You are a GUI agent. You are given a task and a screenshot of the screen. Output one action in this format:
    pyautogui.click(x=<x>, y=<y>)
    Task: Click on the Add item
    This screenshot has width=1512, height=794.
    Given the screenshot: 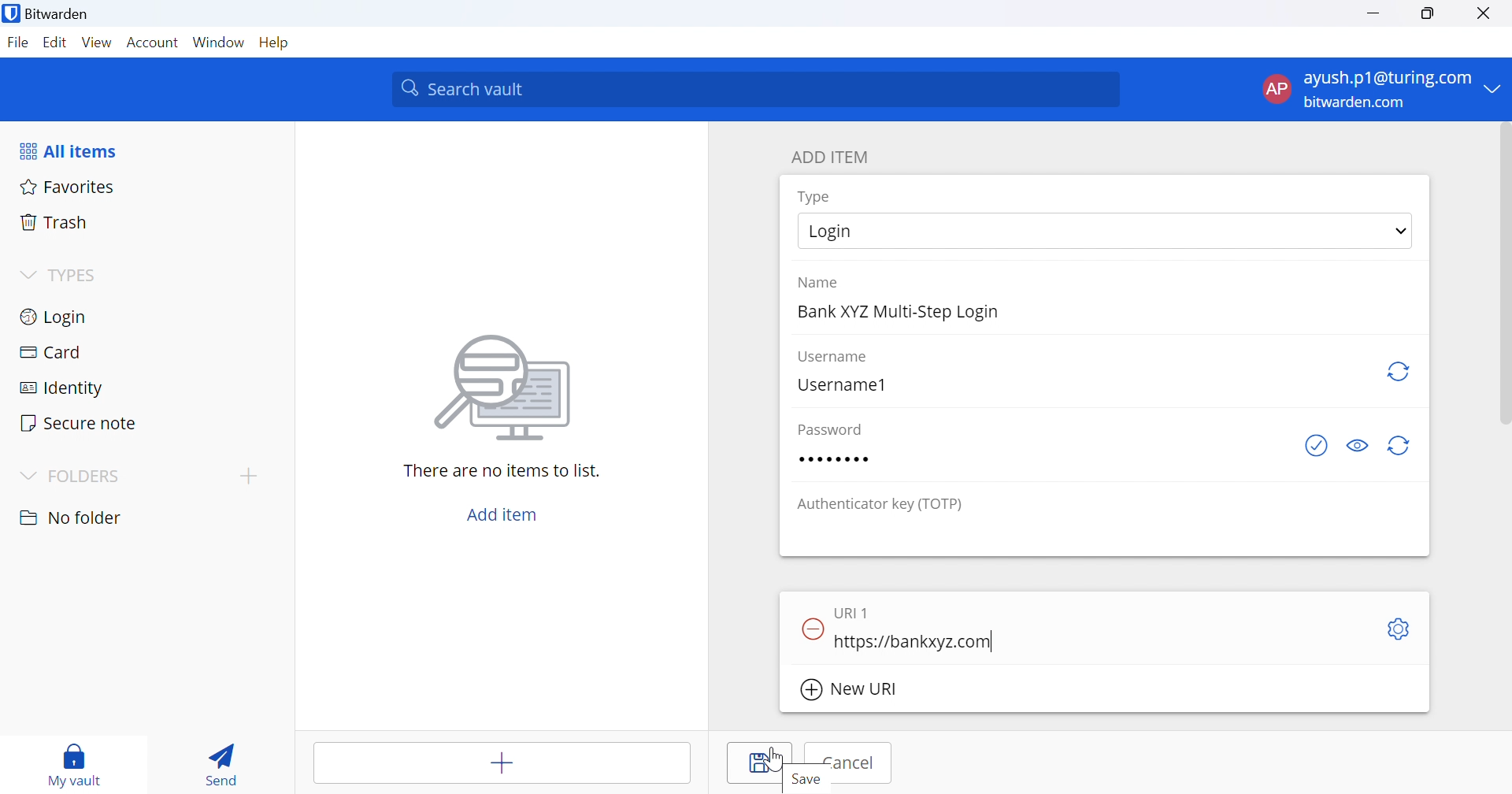 What is the action you would take?
    pyautogui.click(x=503, y=512)
    